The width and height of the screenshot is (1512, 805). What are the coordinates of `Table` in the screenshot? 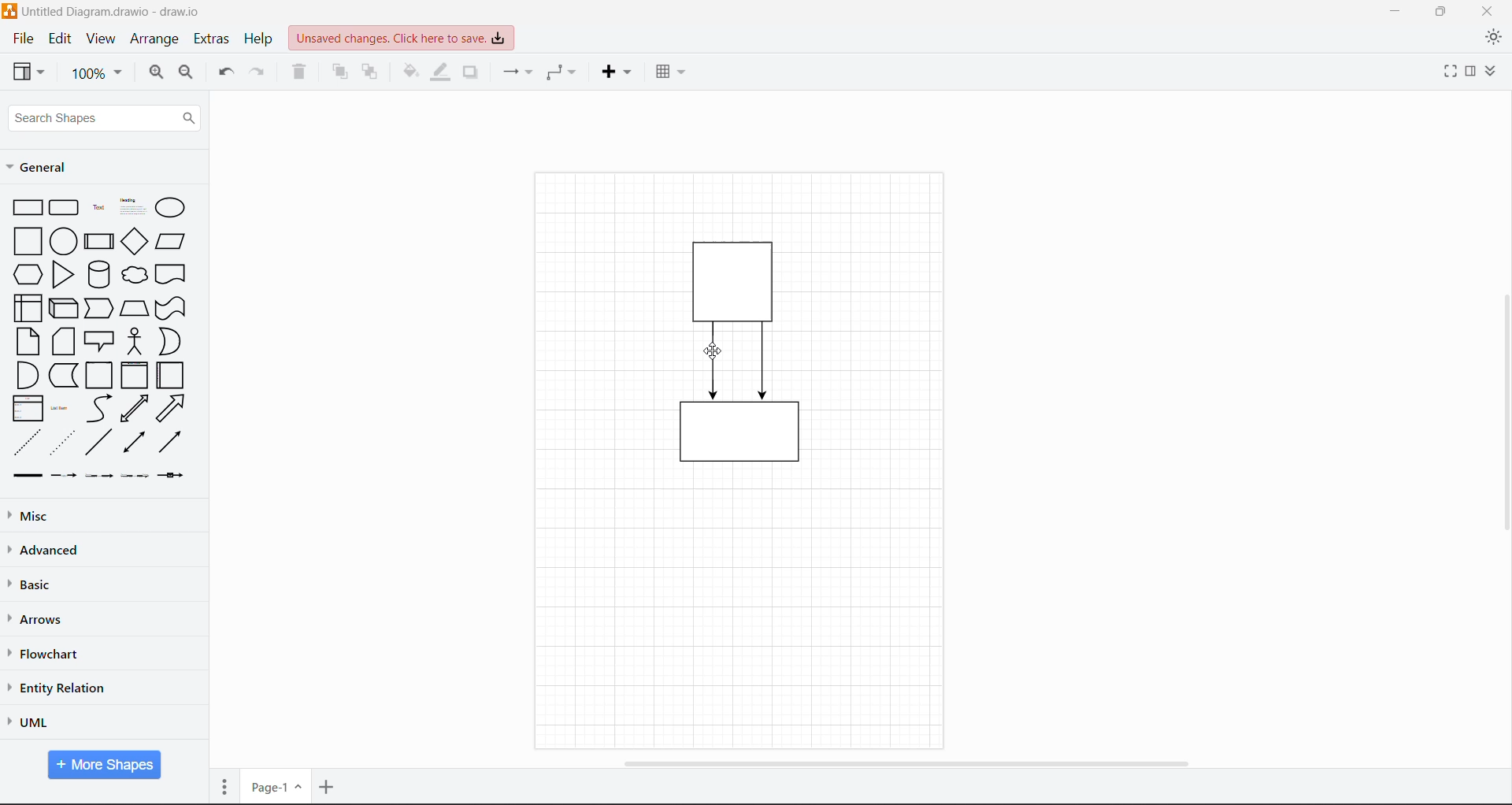 It's located at (669, 69).